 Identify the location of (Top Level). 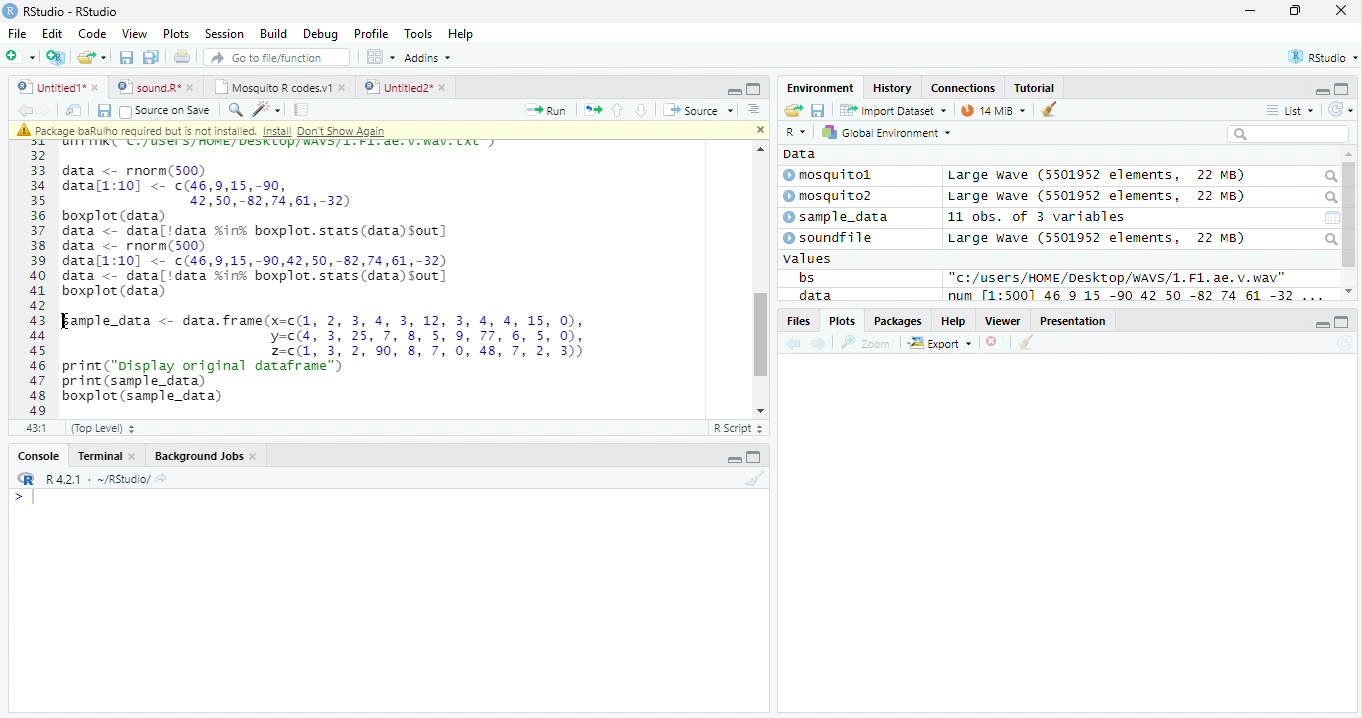
(103, 429).